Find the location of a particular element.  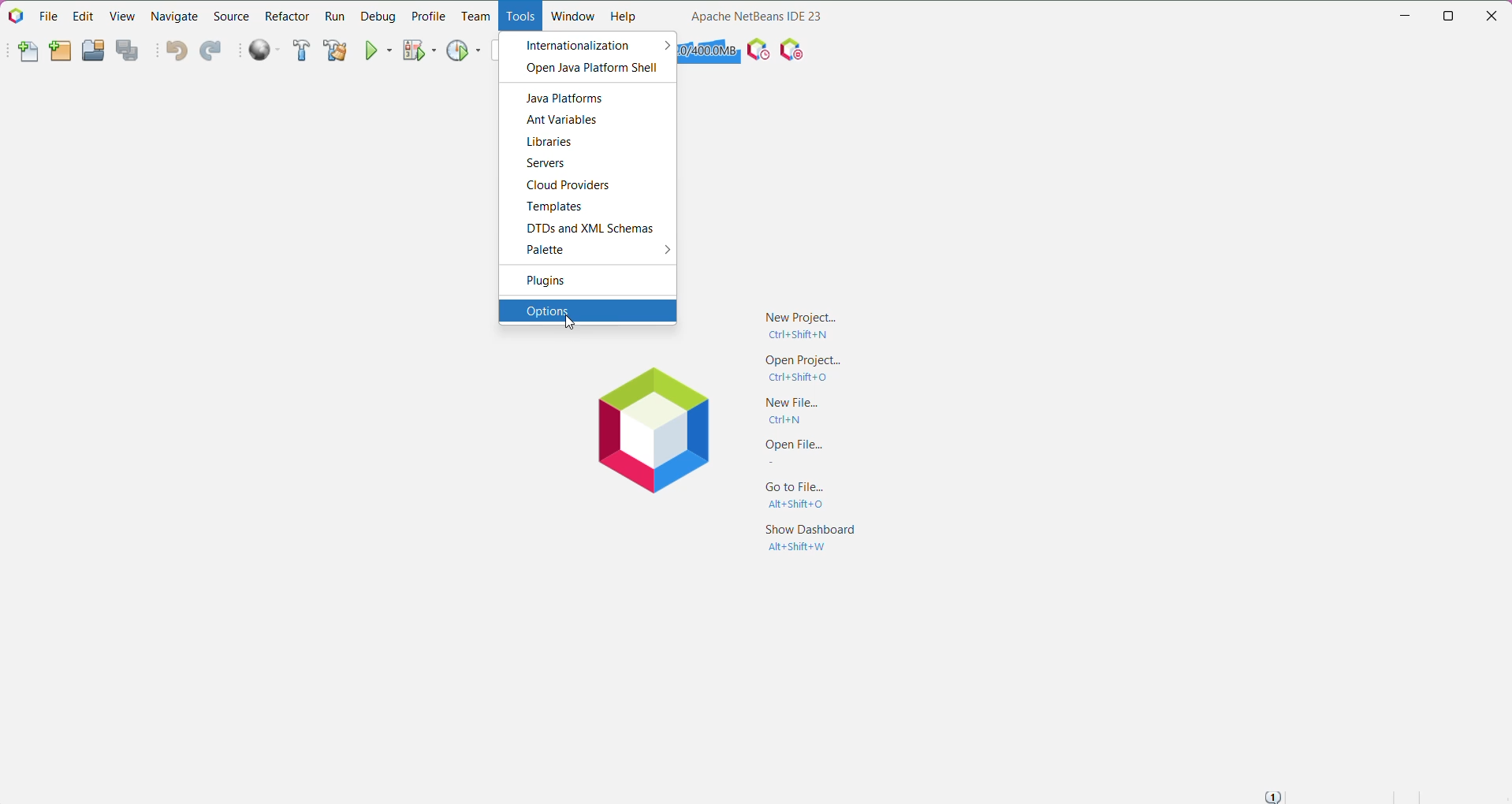

View is located at coordinates (124, 15).